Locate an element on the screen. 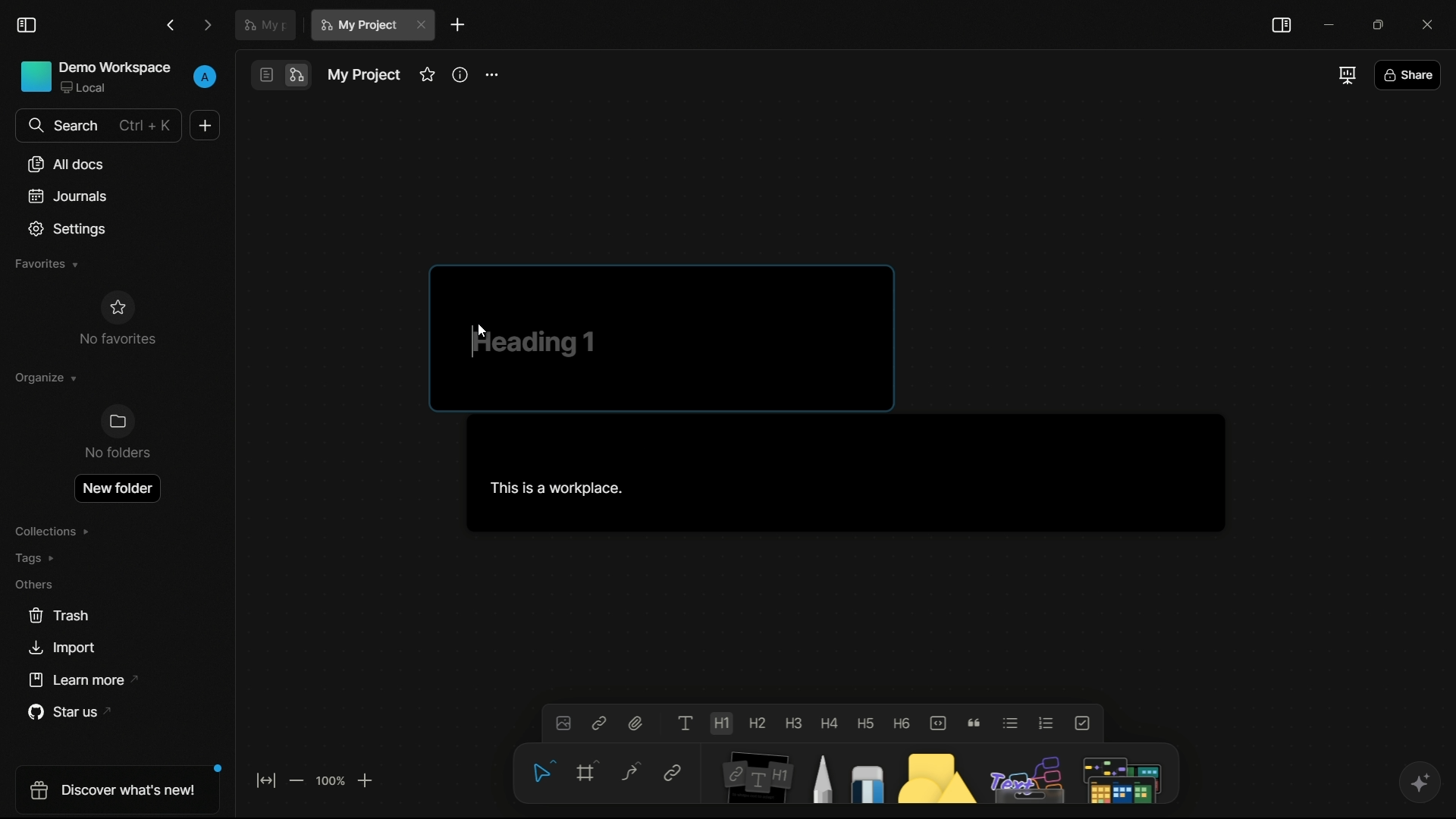  no favorites is located at coordinates (117, 319).